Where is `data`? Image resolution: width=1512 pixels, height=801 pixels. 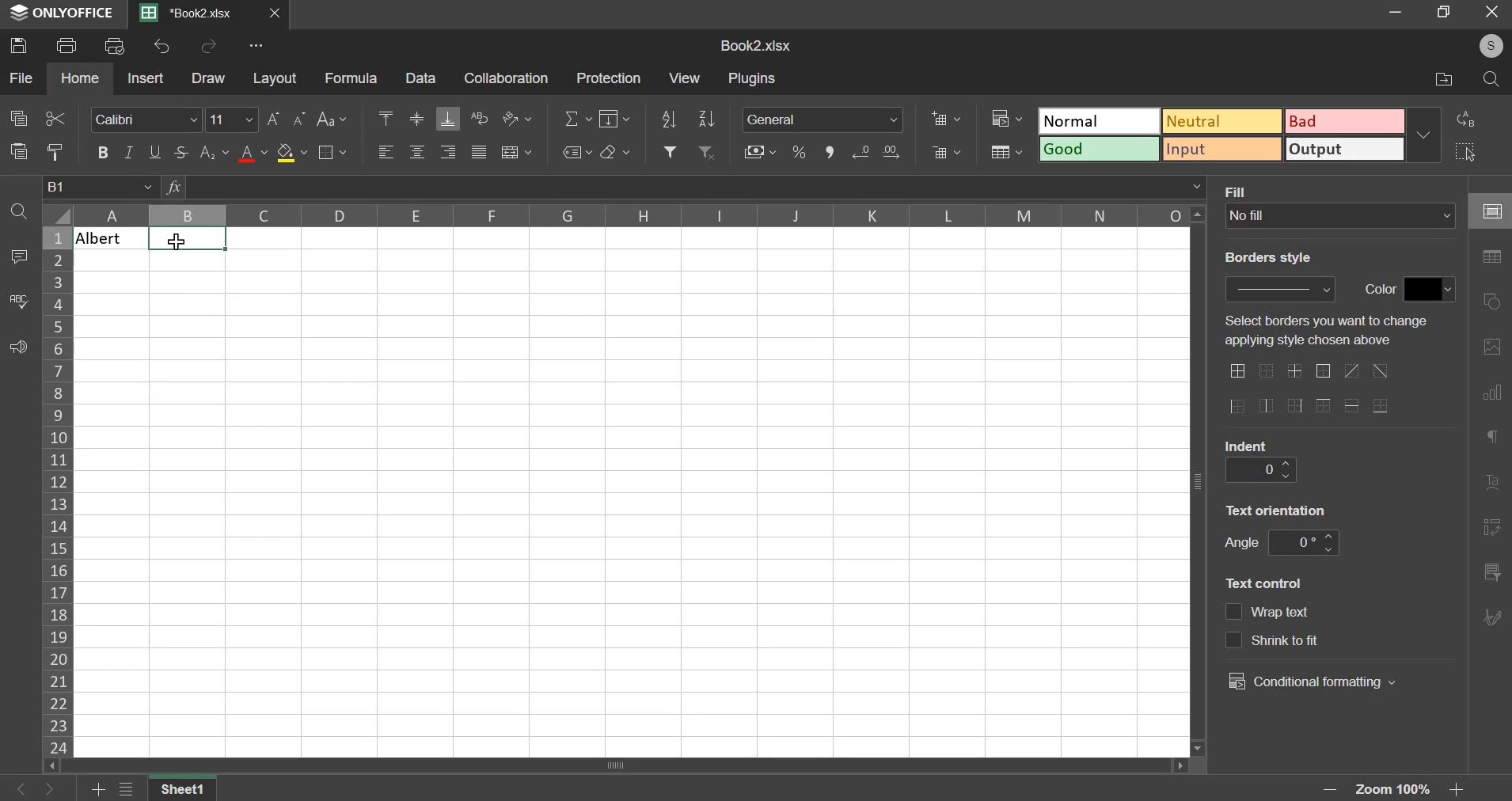
data is located at coordinates (424, 78).